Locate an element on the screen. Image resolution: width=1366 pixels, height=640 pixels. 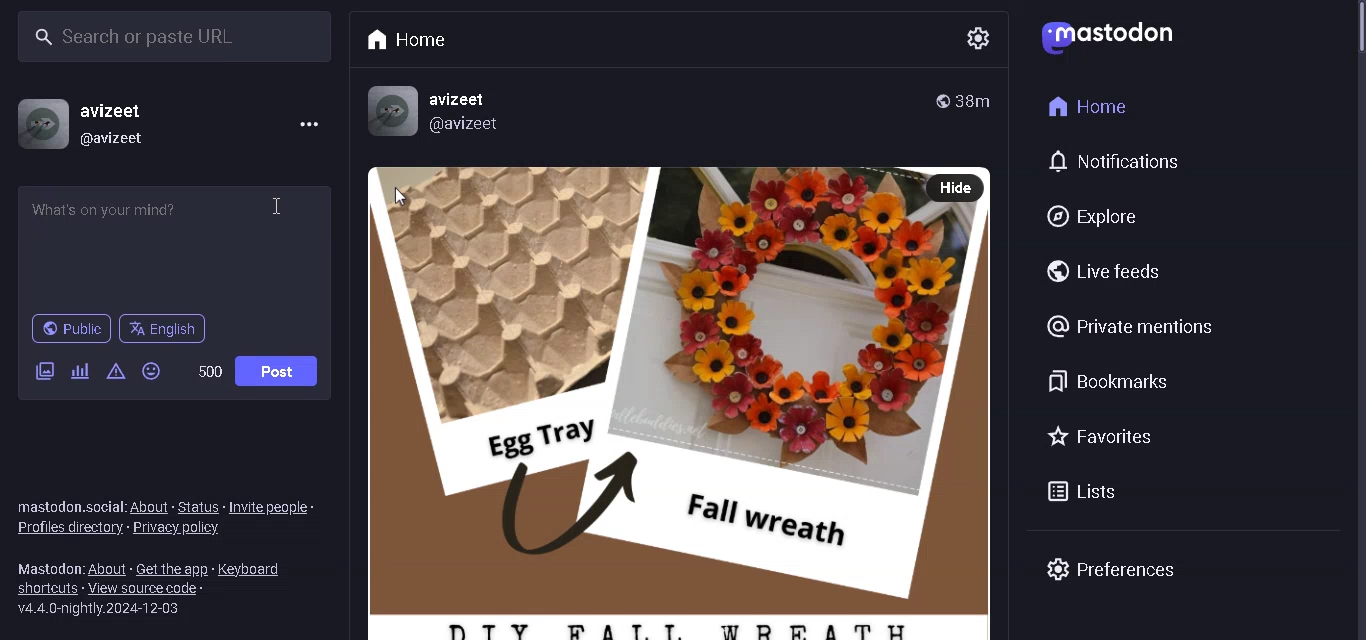
word limit is located at coordinates (212, 370).